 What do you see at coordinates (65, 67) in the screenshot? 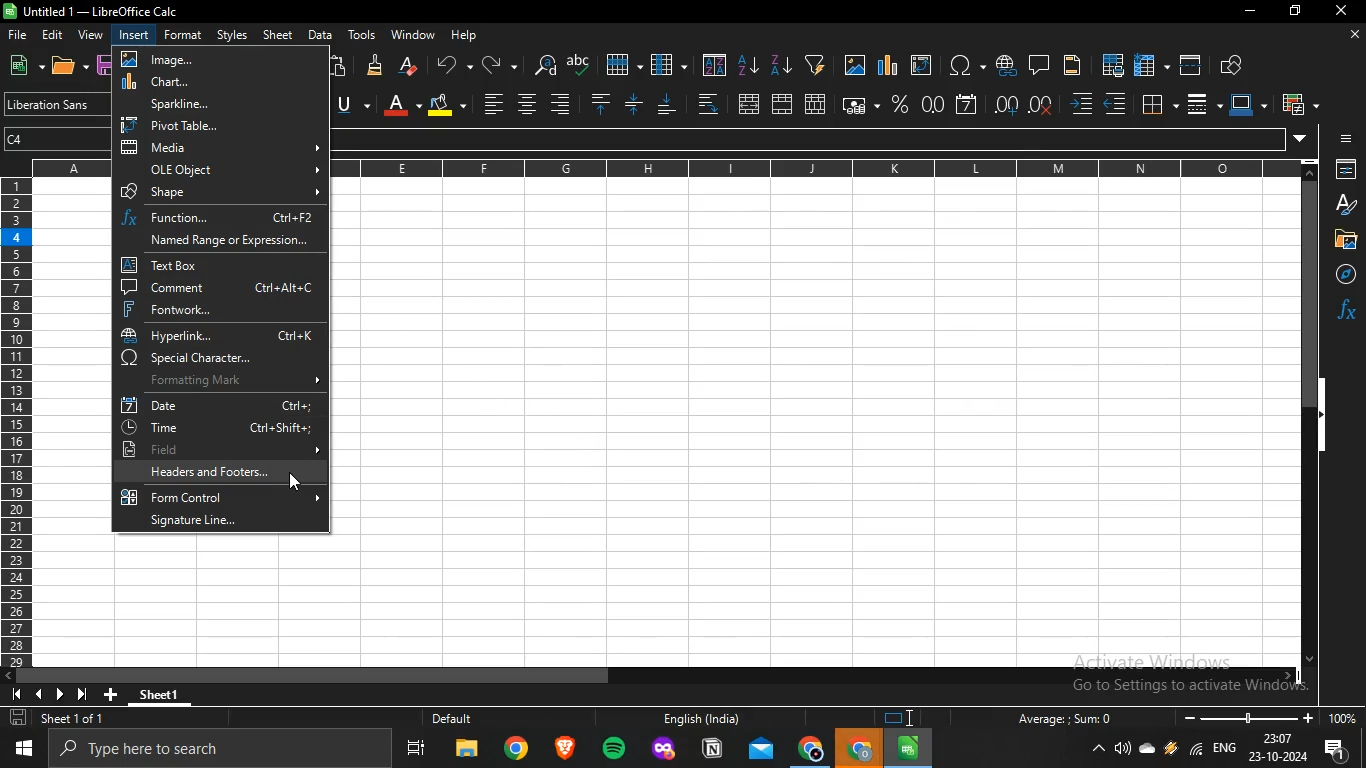
I see `open` at bounding box center [65, 67].